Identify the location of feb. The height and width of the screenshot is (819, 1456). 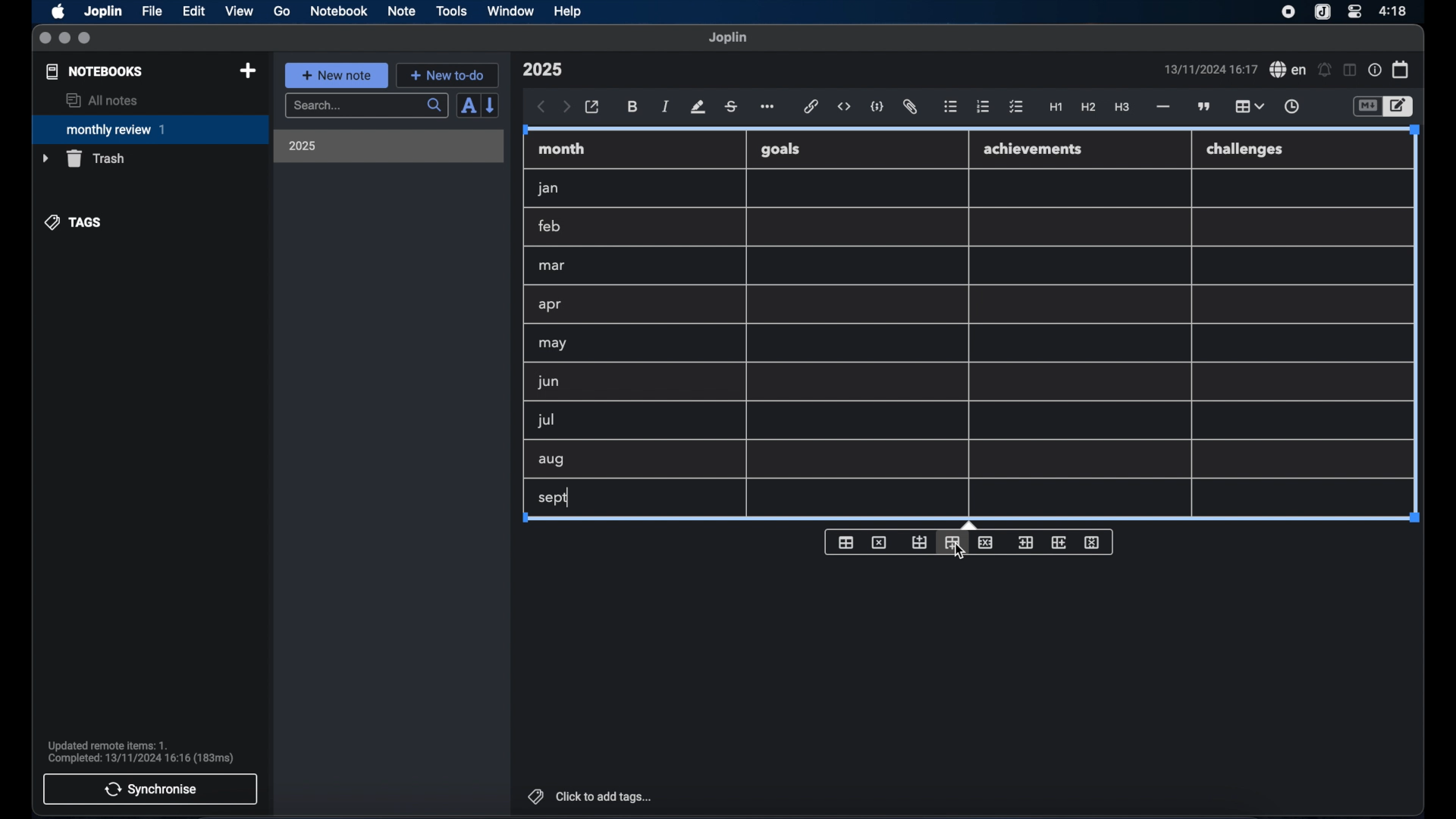
(551, 226).